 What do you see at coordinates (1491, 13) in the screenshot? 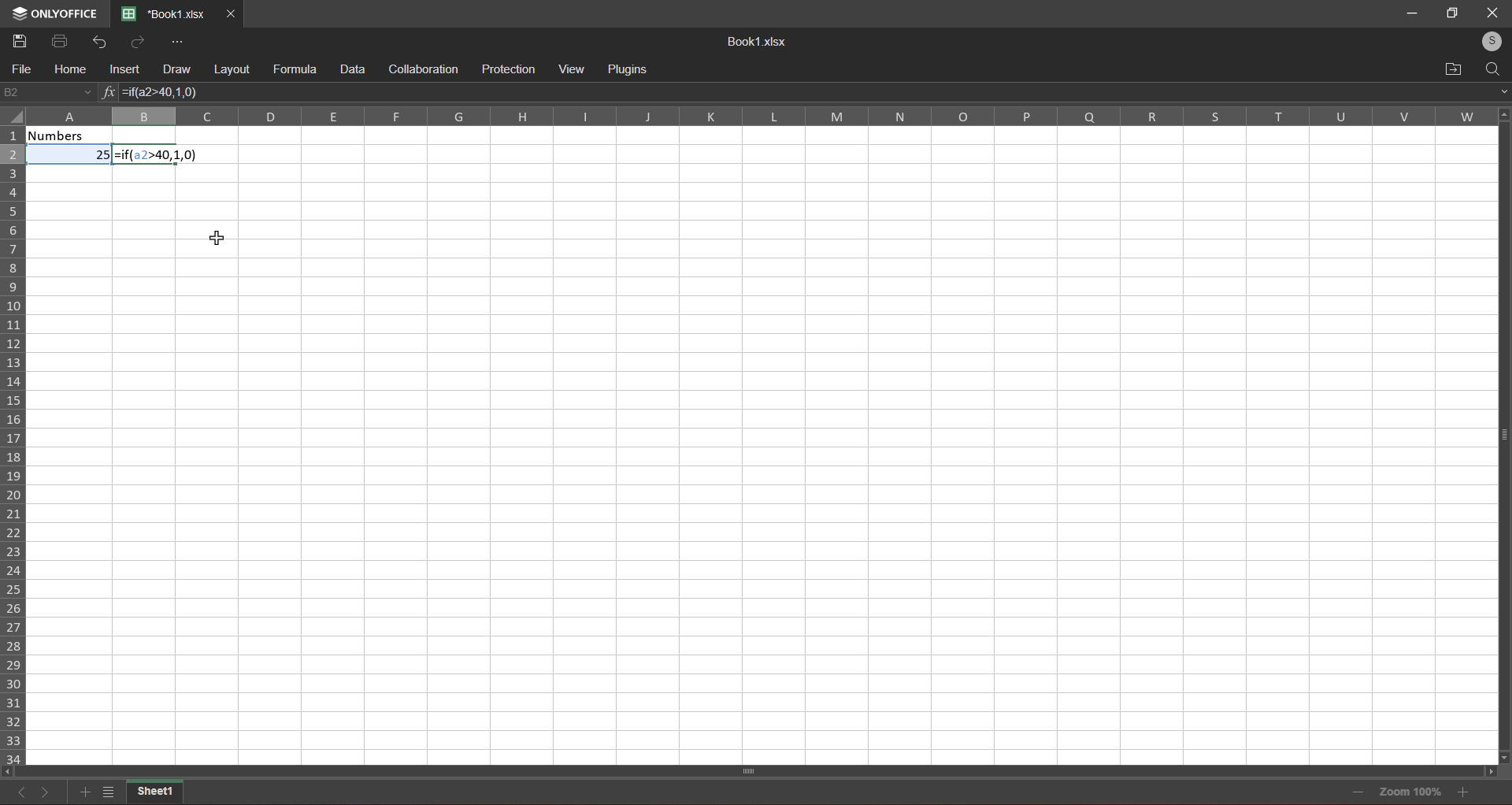
I see `close` at bounding box center [1491, 13].